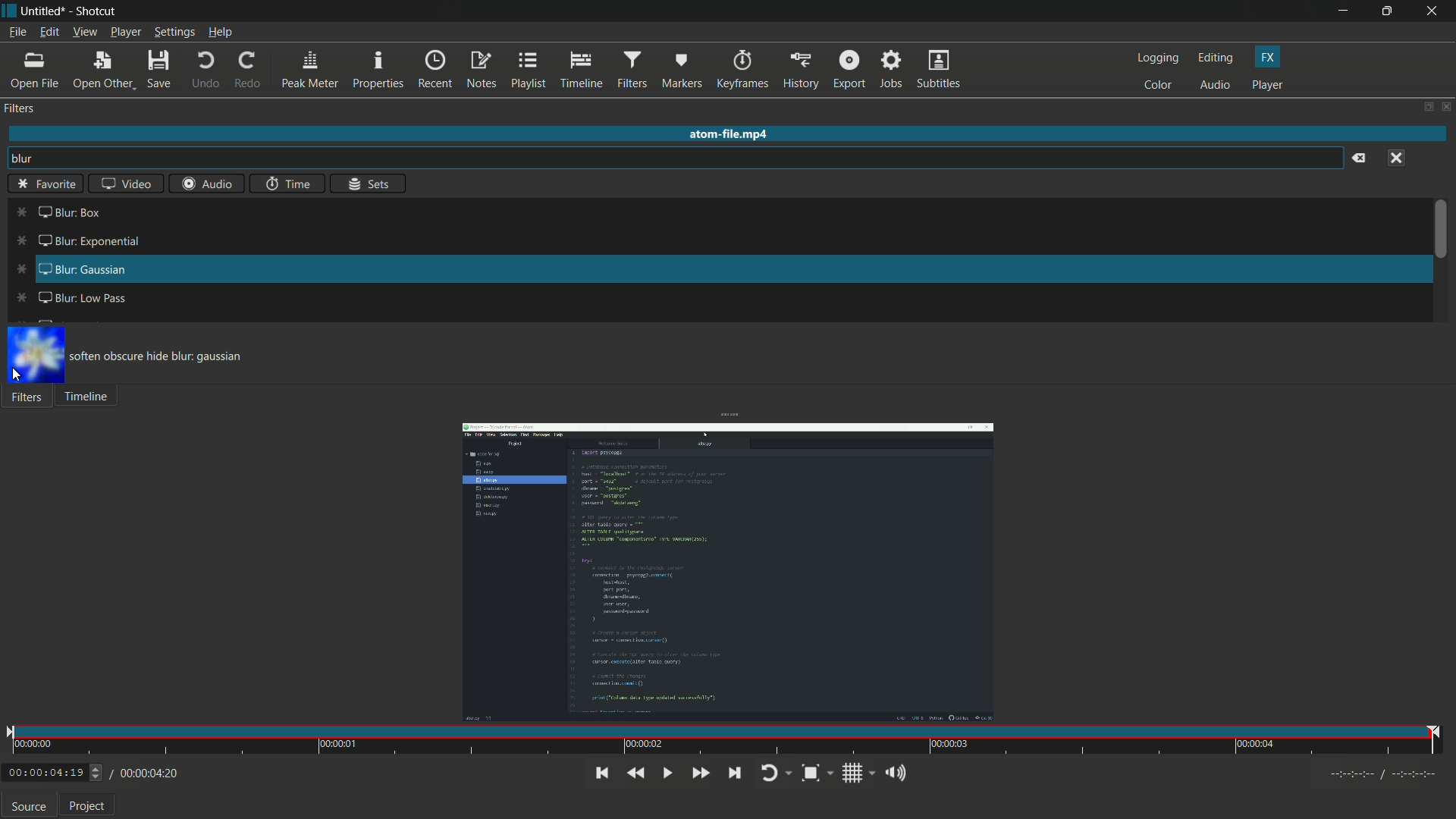  What do you see at coordinates (1268, 84) in the screenshot?
I see `player` at bounding box center [1268, 84].